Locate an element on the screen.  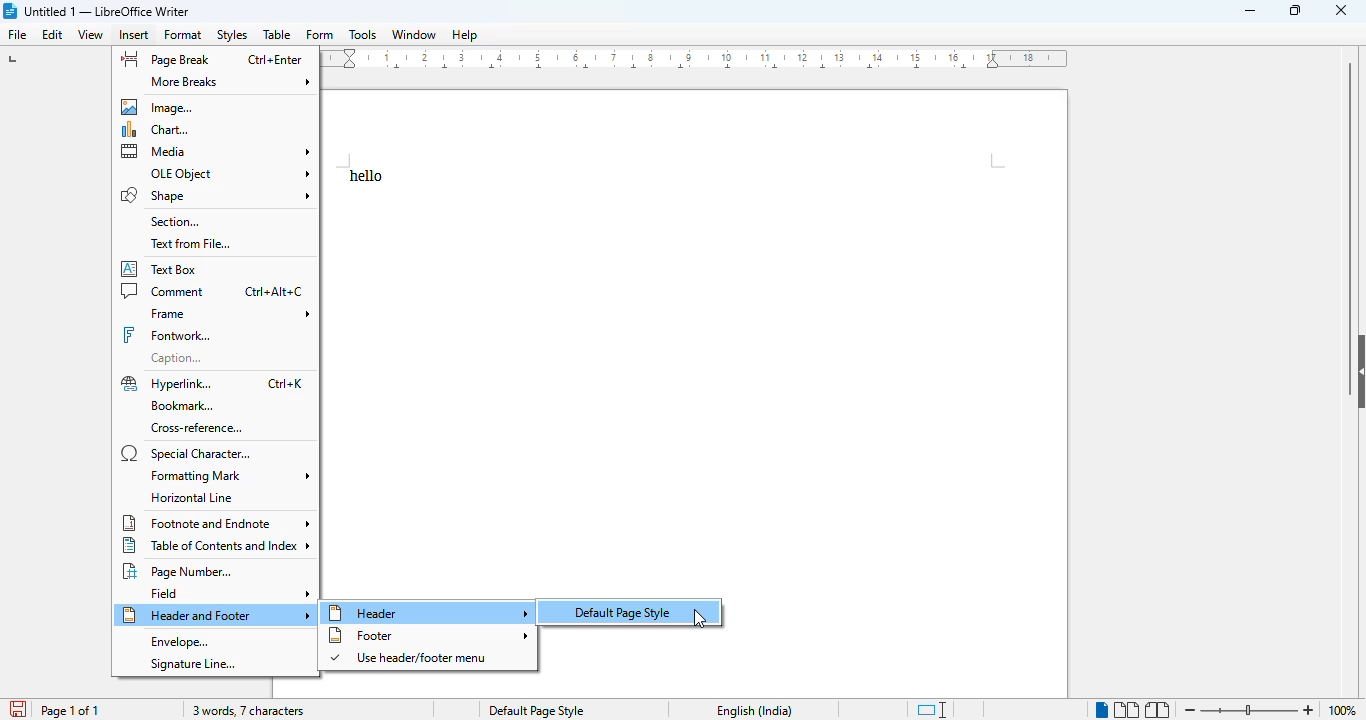
maximize is located at coordinates (1297, 11).